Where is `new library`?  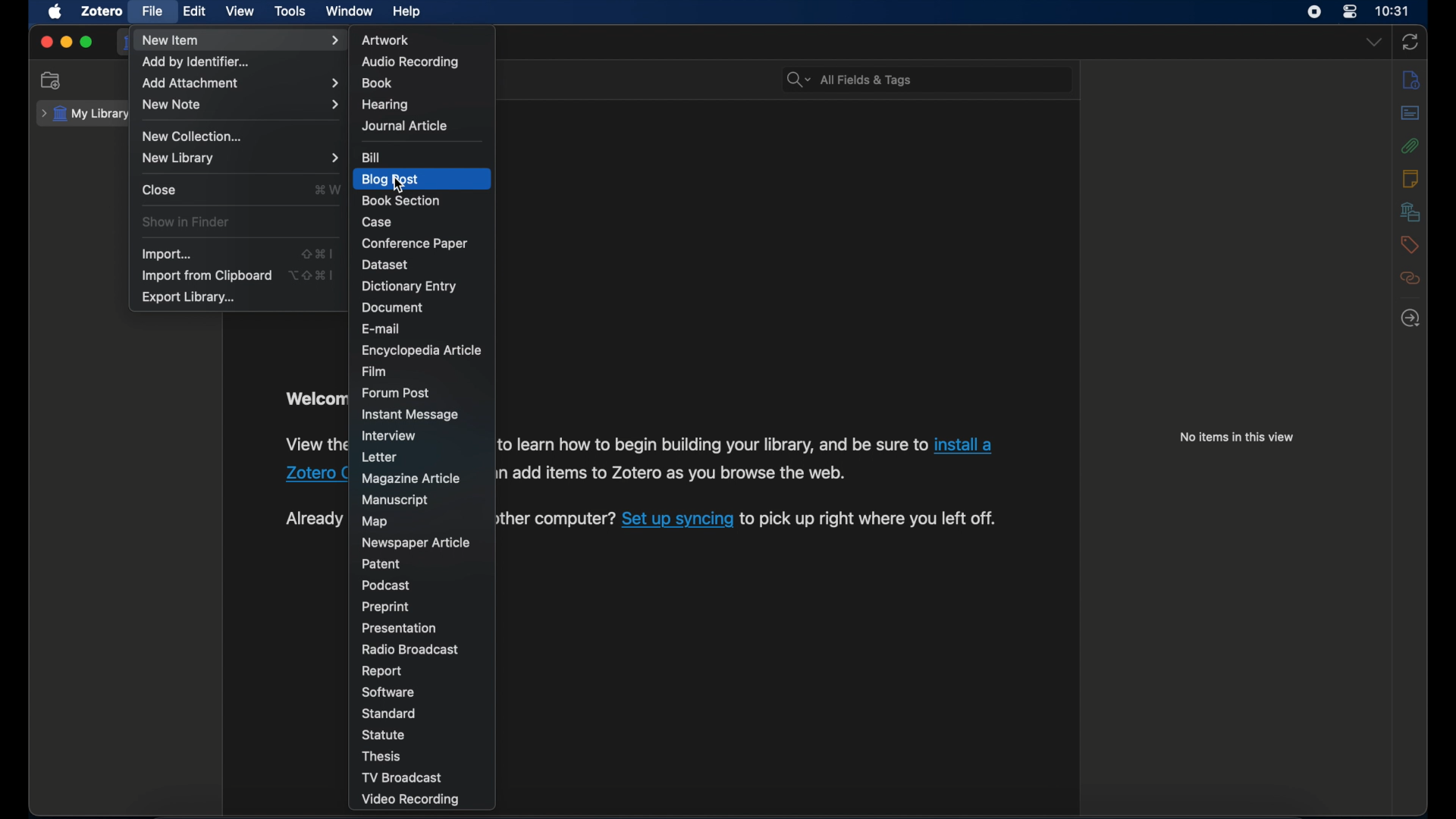 new library is located at coordinates (240, 158).